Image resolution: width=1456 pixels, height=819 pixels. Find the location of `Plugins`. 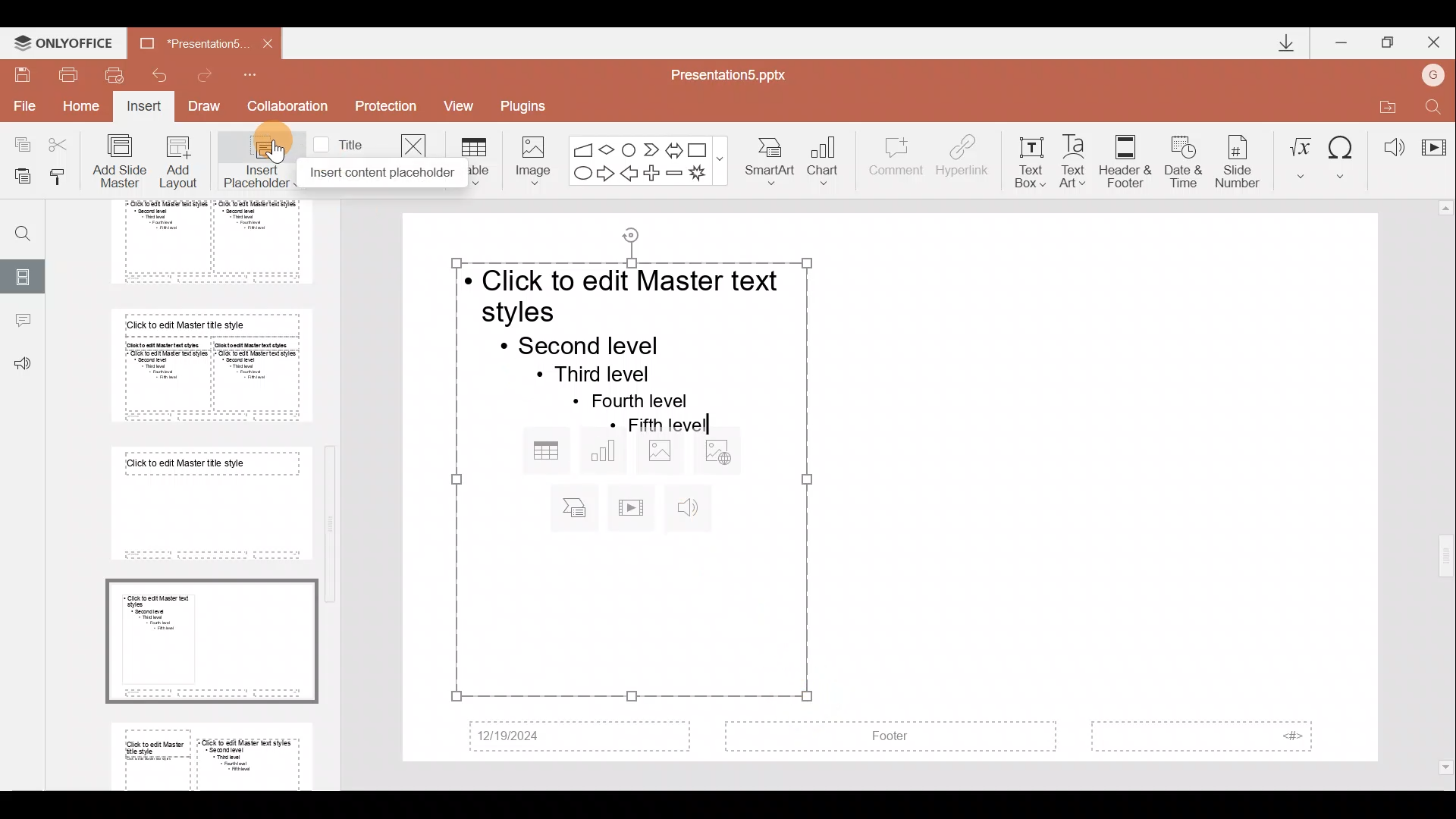

Plugins is located at coordinates (529, 104).